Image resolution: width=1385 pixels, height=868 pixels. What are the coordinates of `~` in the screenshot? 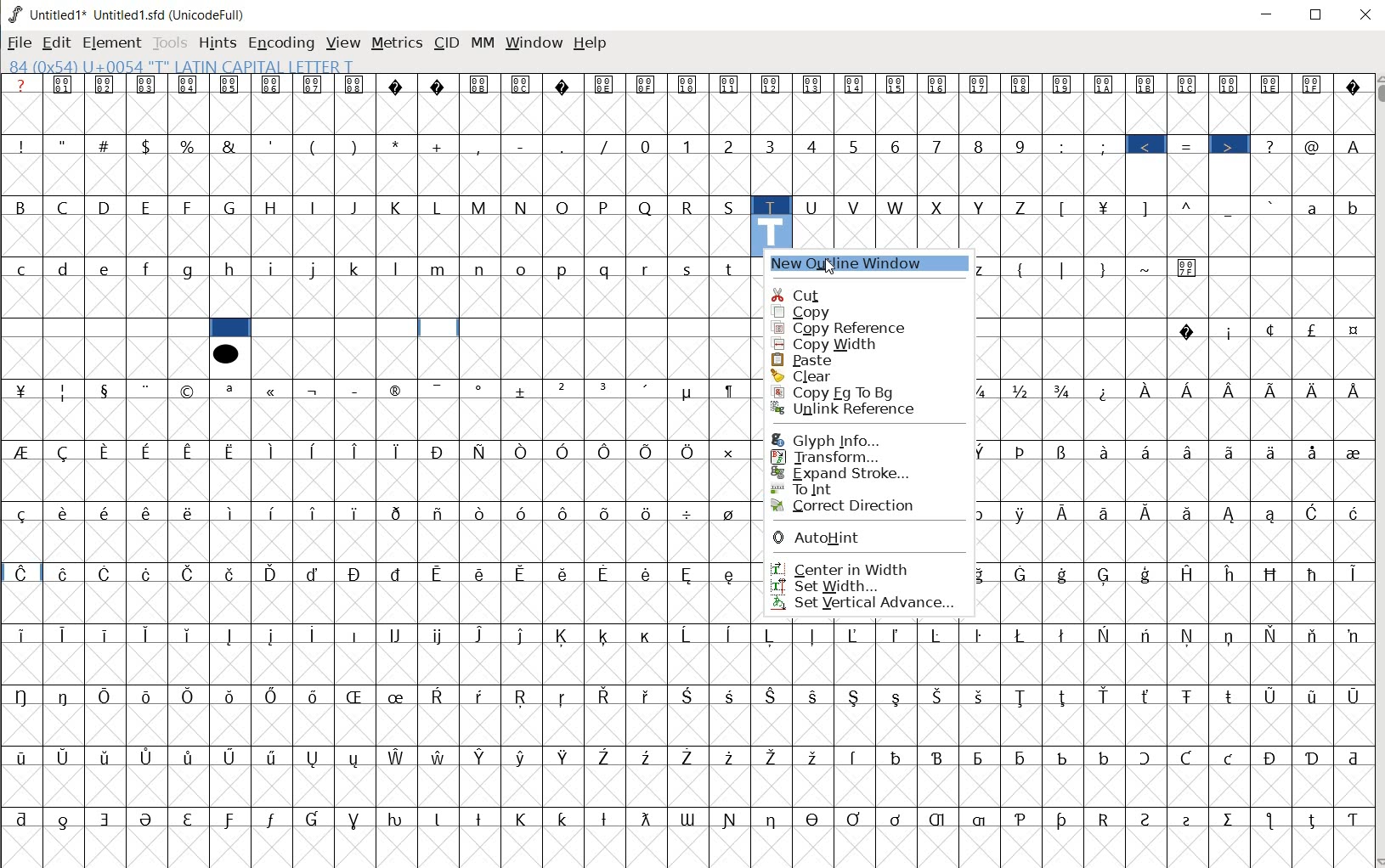 It's located at (1148, 269).